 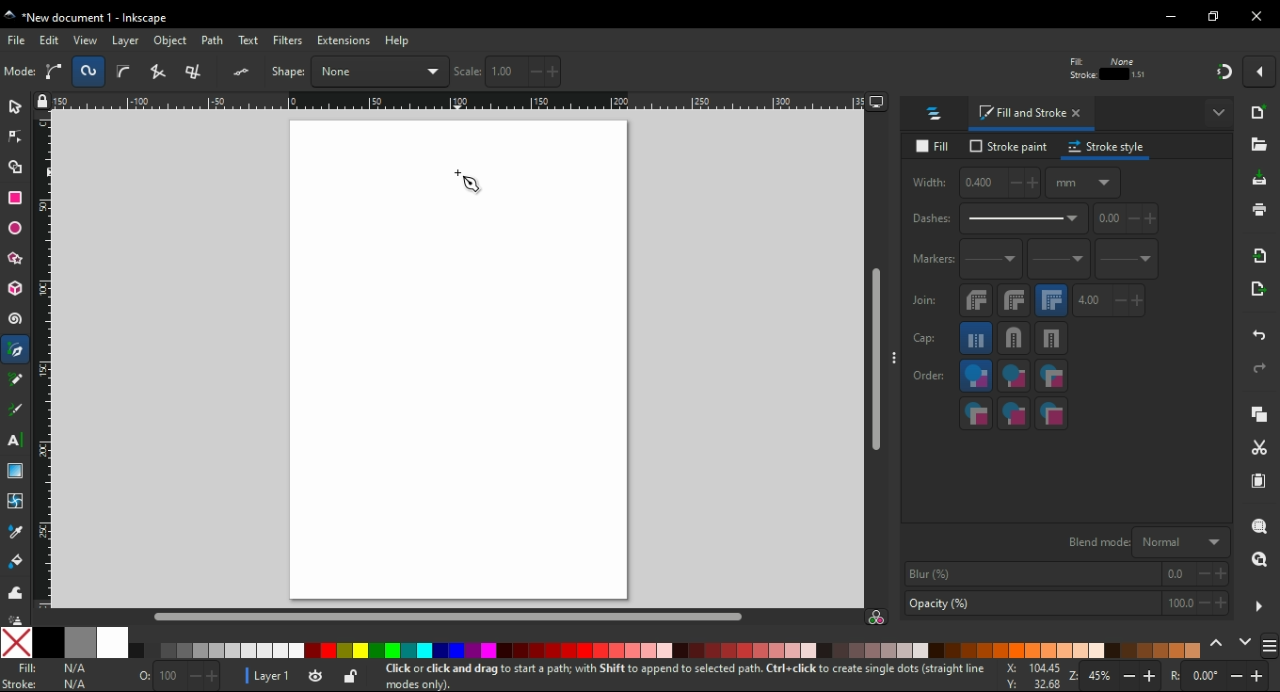 What do you see at coordinates (1009, 146) in the screenshot?
I see `stroke paint` at bounding box center [1009, 146].